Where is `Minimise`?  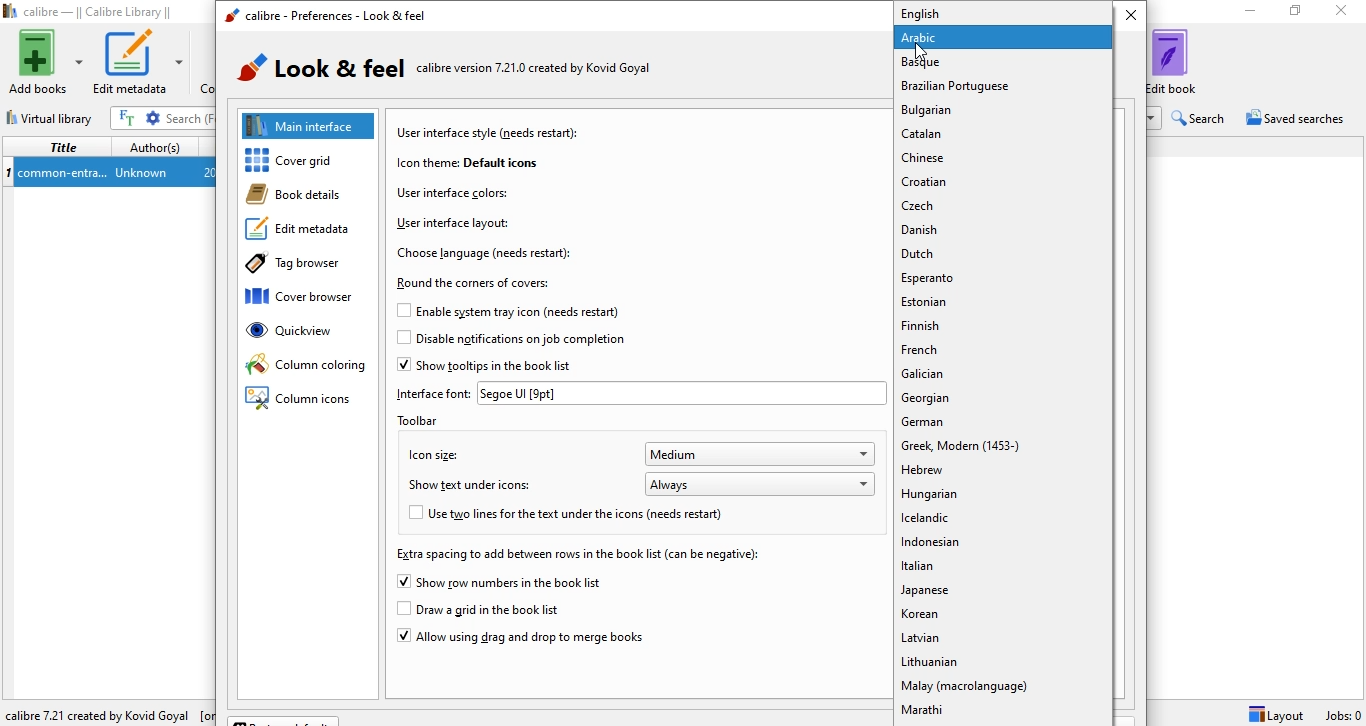
Minimise is located at coordinates (1245, 12).